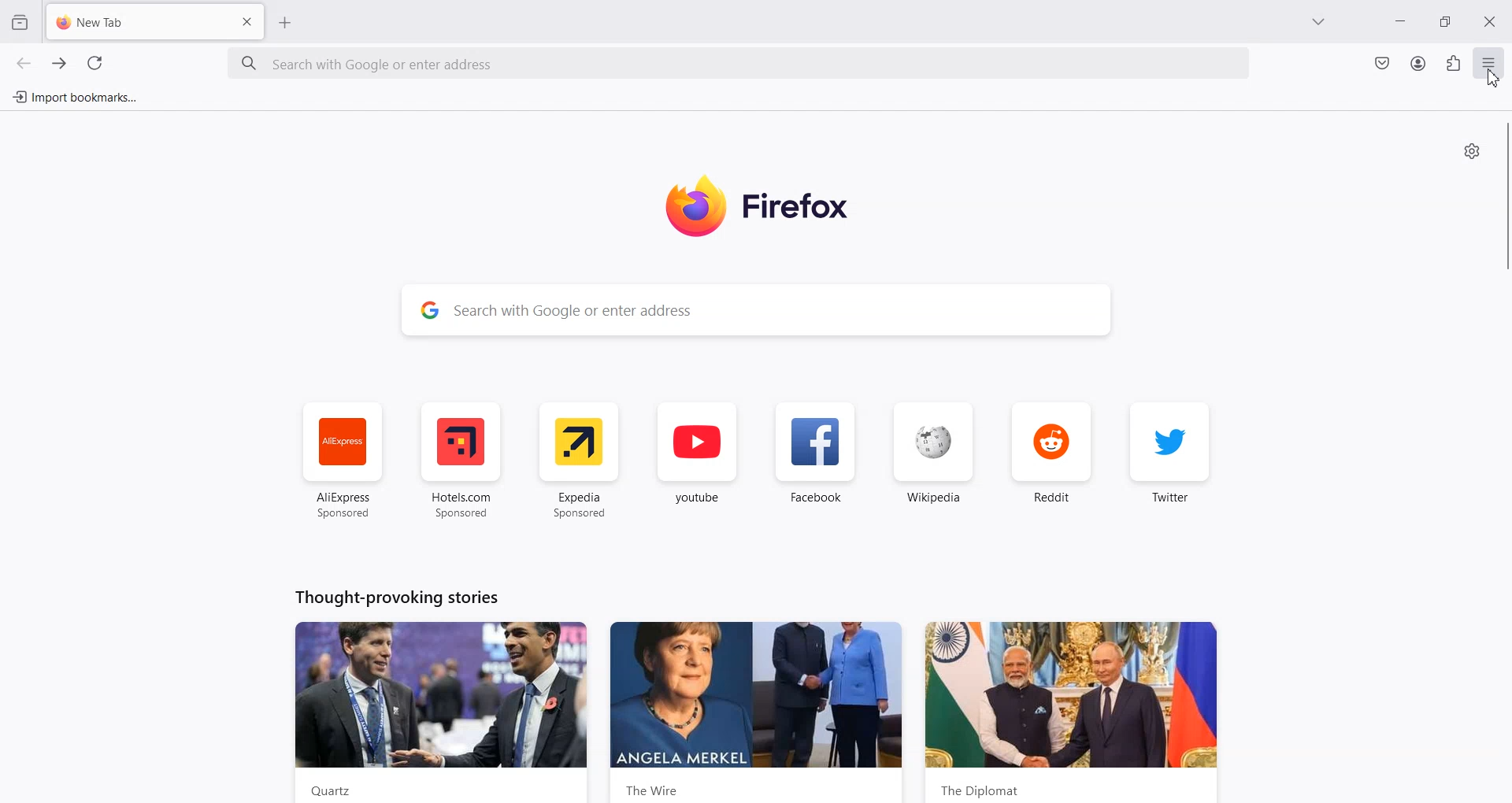 The width and height of the screenshot is (1512, 803). What do you see at coordinates (758, 310) in the screenshot?
I see `Search Bar` at bounding box center [758, 310].